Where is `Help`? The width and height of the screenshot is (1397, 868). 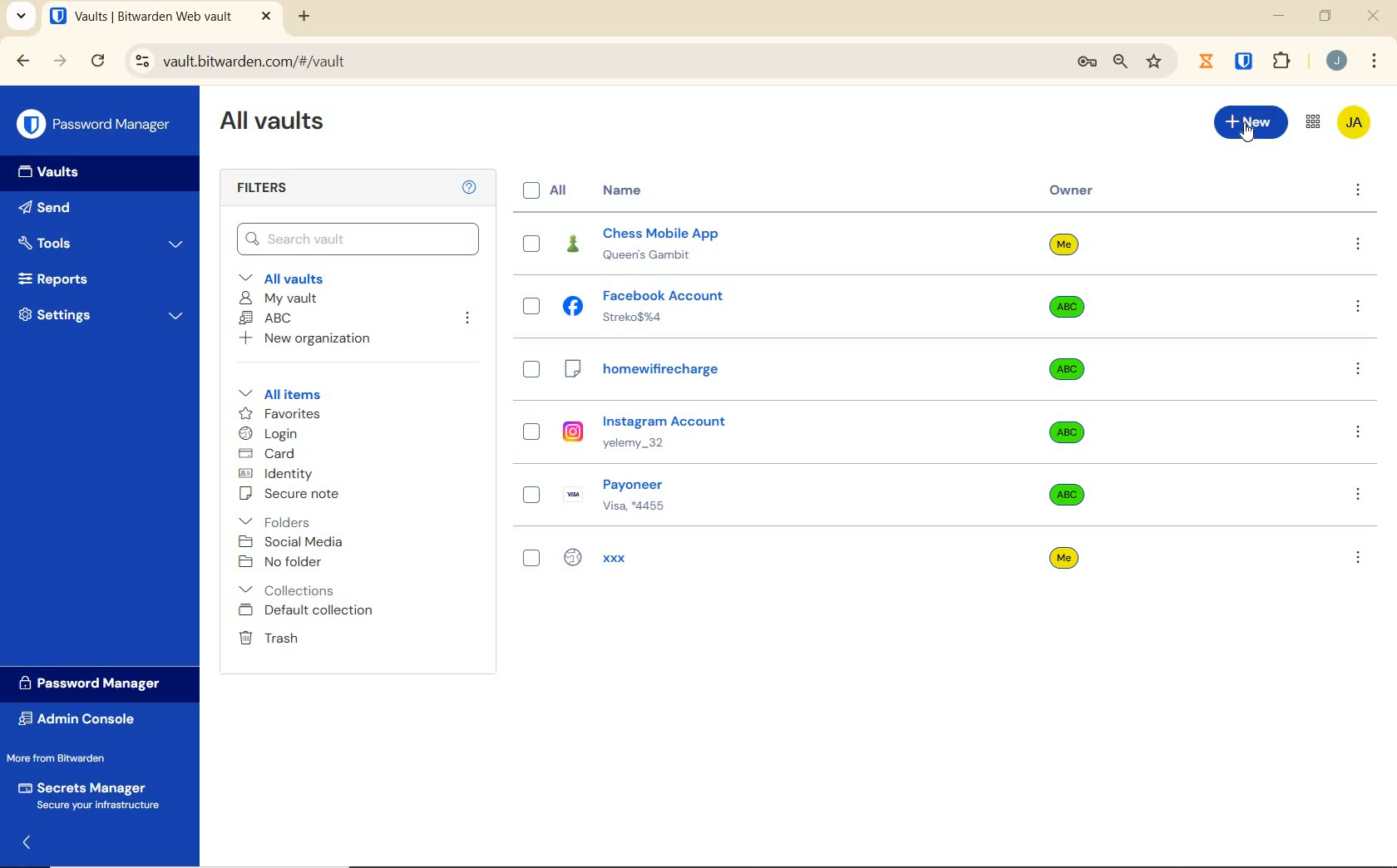
Help is located at coordinates (467, 188).